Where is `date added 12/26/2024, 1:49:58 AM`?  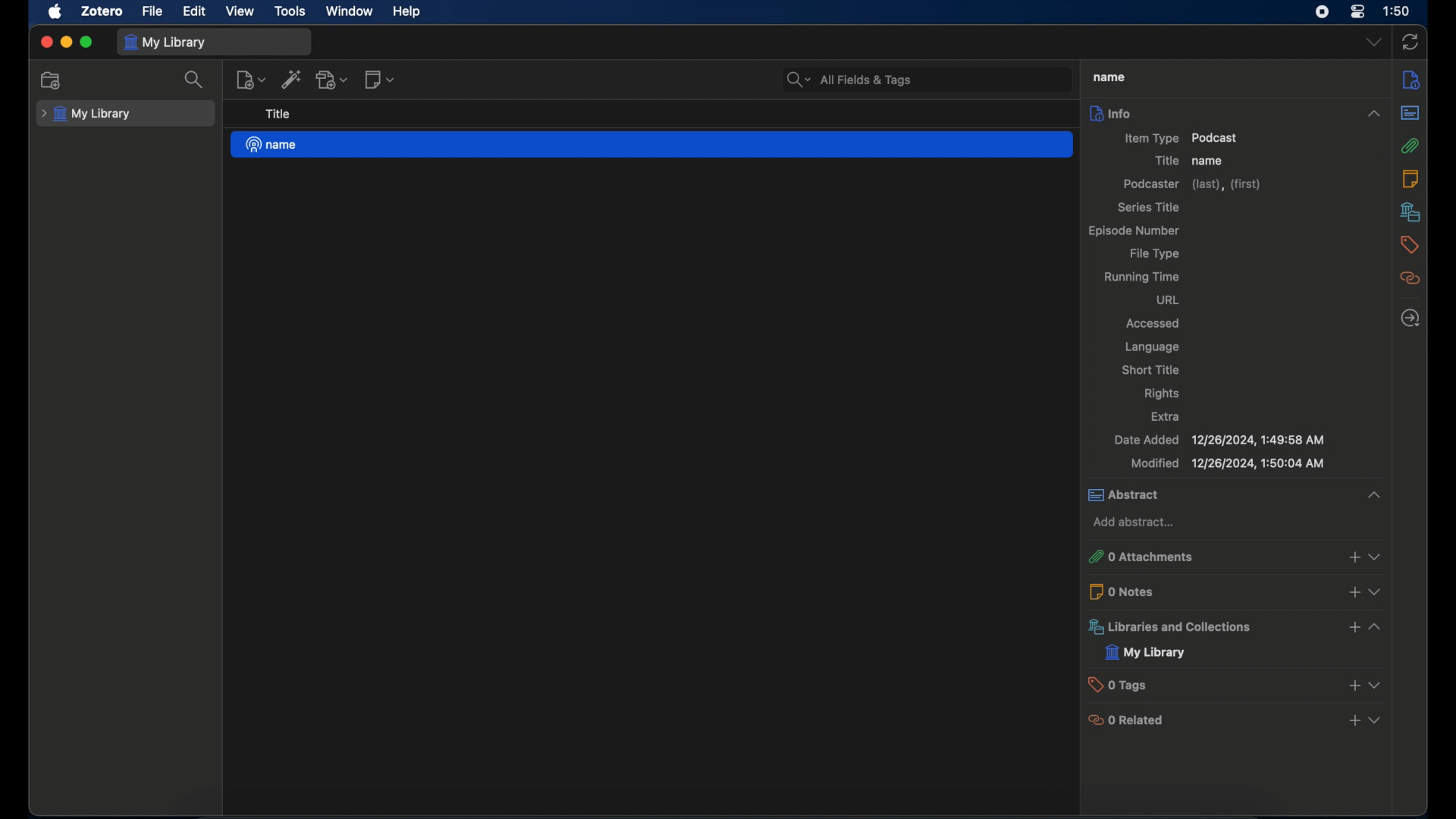
date added 12/26/2024, 1:49:58 AM is located at coordinates (1219, 441).